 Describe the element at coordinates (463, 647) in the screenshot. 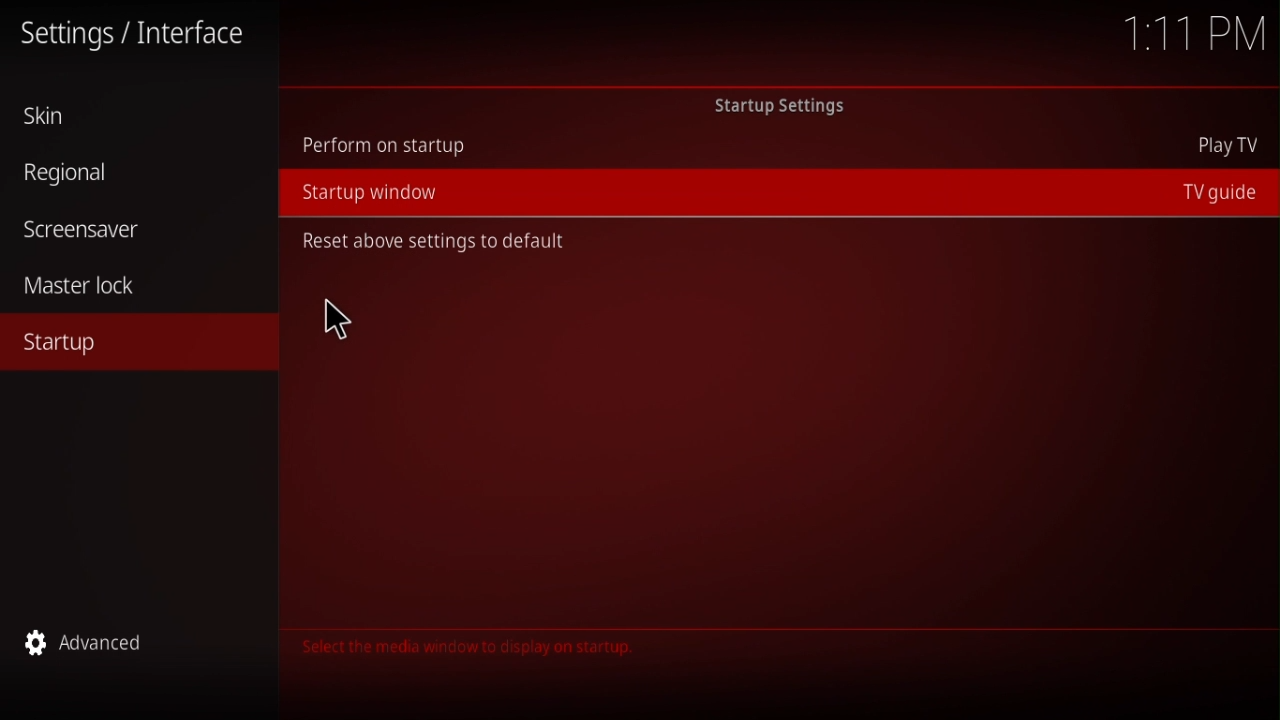

I see `The category contains` at that location.